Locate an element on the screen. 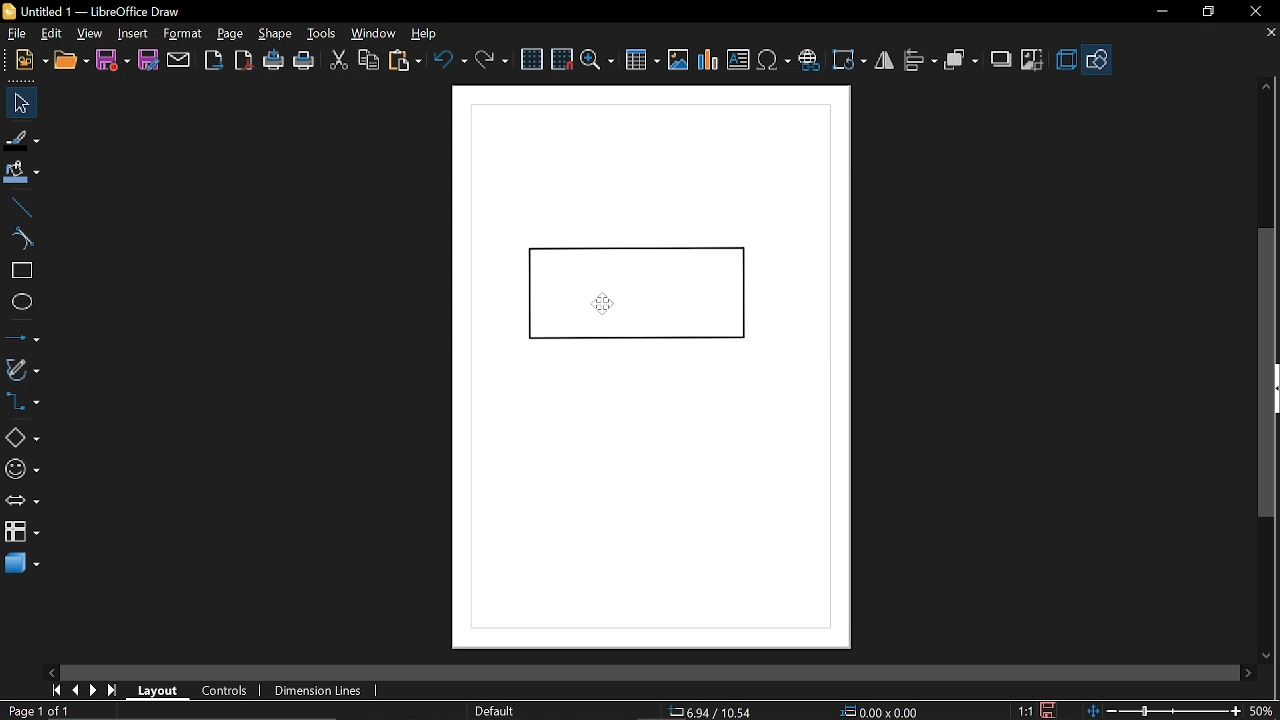  ellipse is located at coordinates (18, 301).